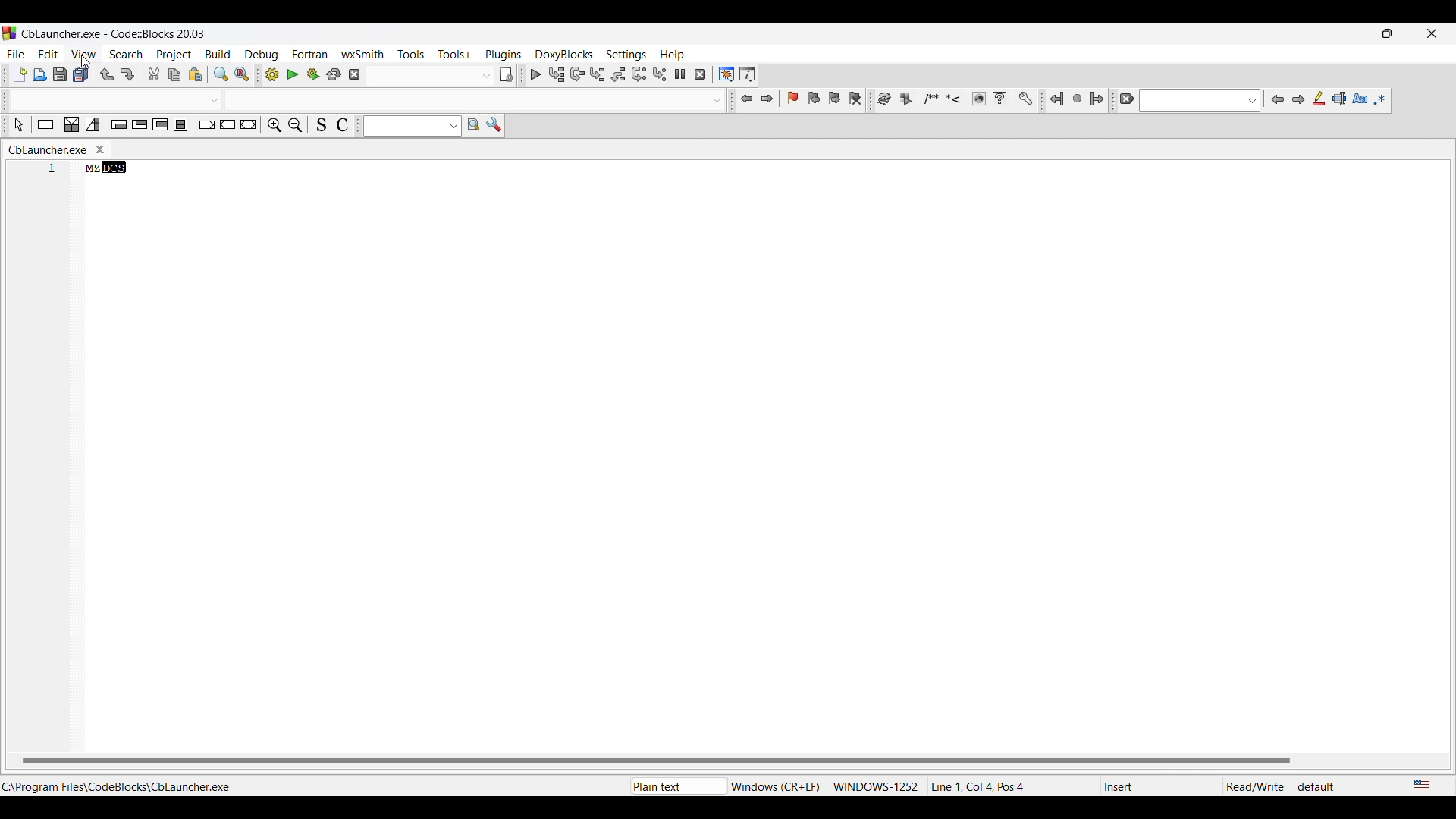 The width and height of the screenshot is (1456, 819). Describe the element at coordinates (161, 124) in the screenshot. I see `Counting loop` at that location.